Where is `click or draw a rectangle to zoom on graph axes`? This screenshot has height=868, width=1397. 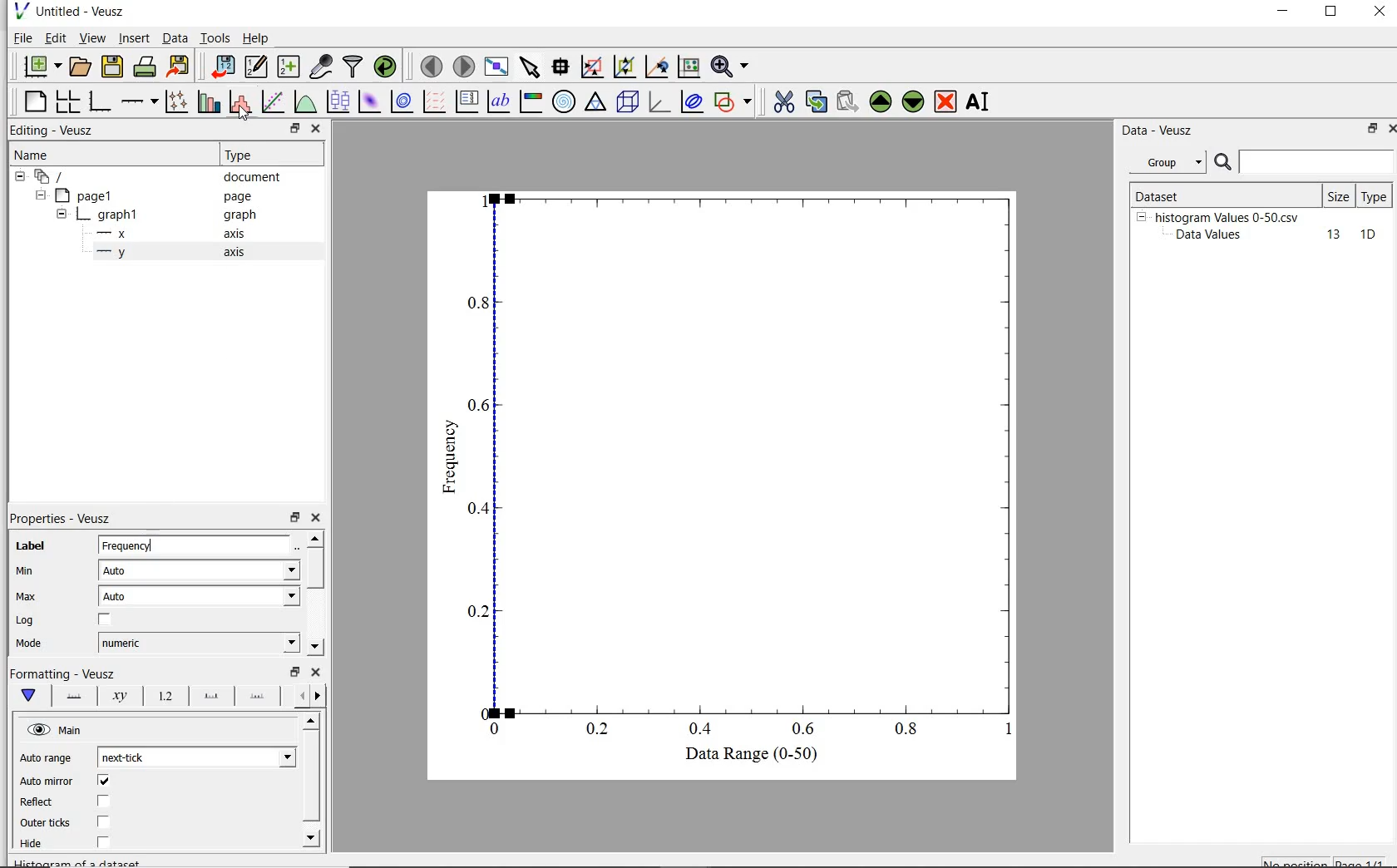
click or draw a rectangle to zoom on graph axes is located at coordinates (624, 67).